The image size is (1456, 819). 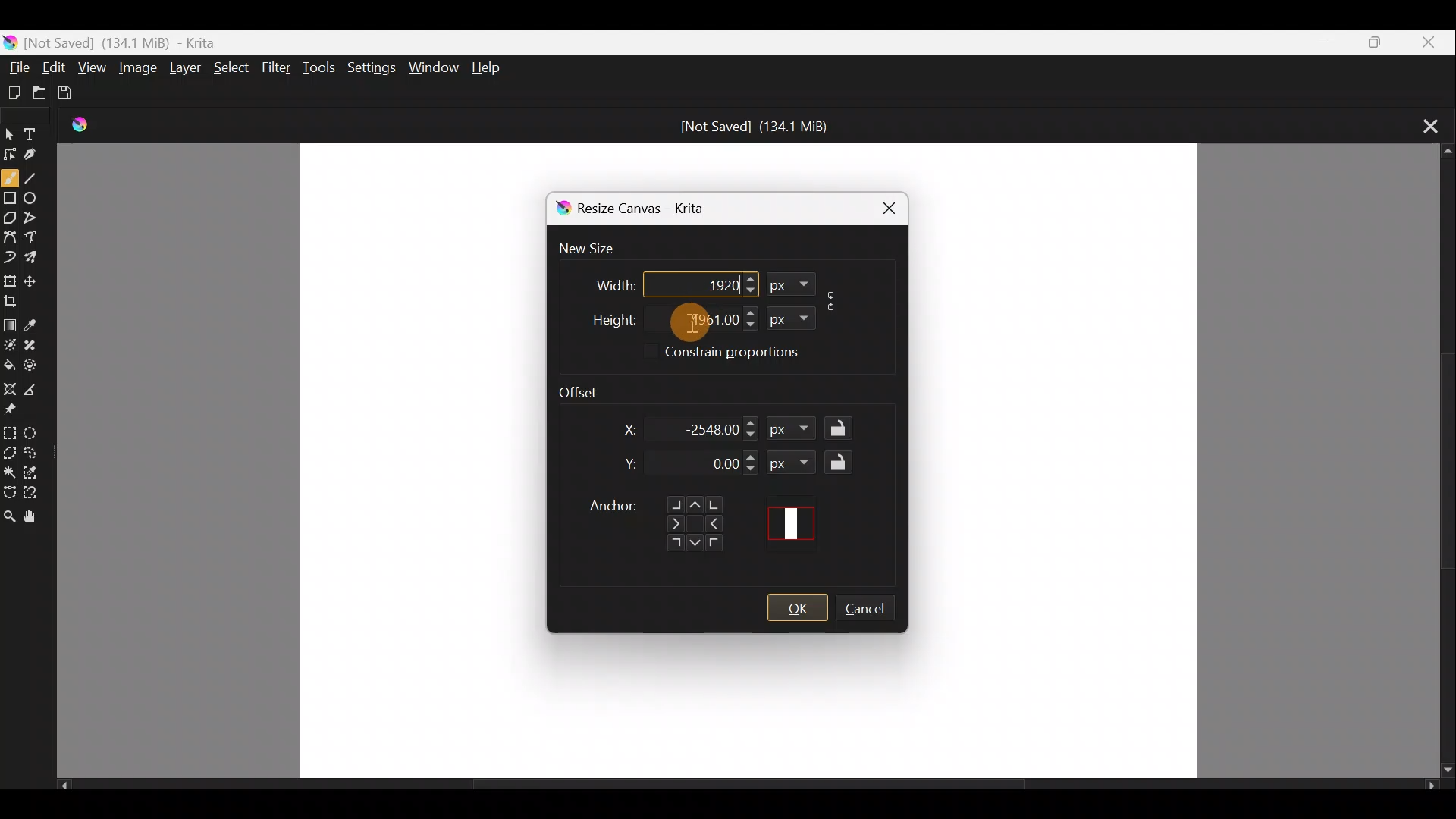 I want to click on Close tab, so click(x=1424, y=124).